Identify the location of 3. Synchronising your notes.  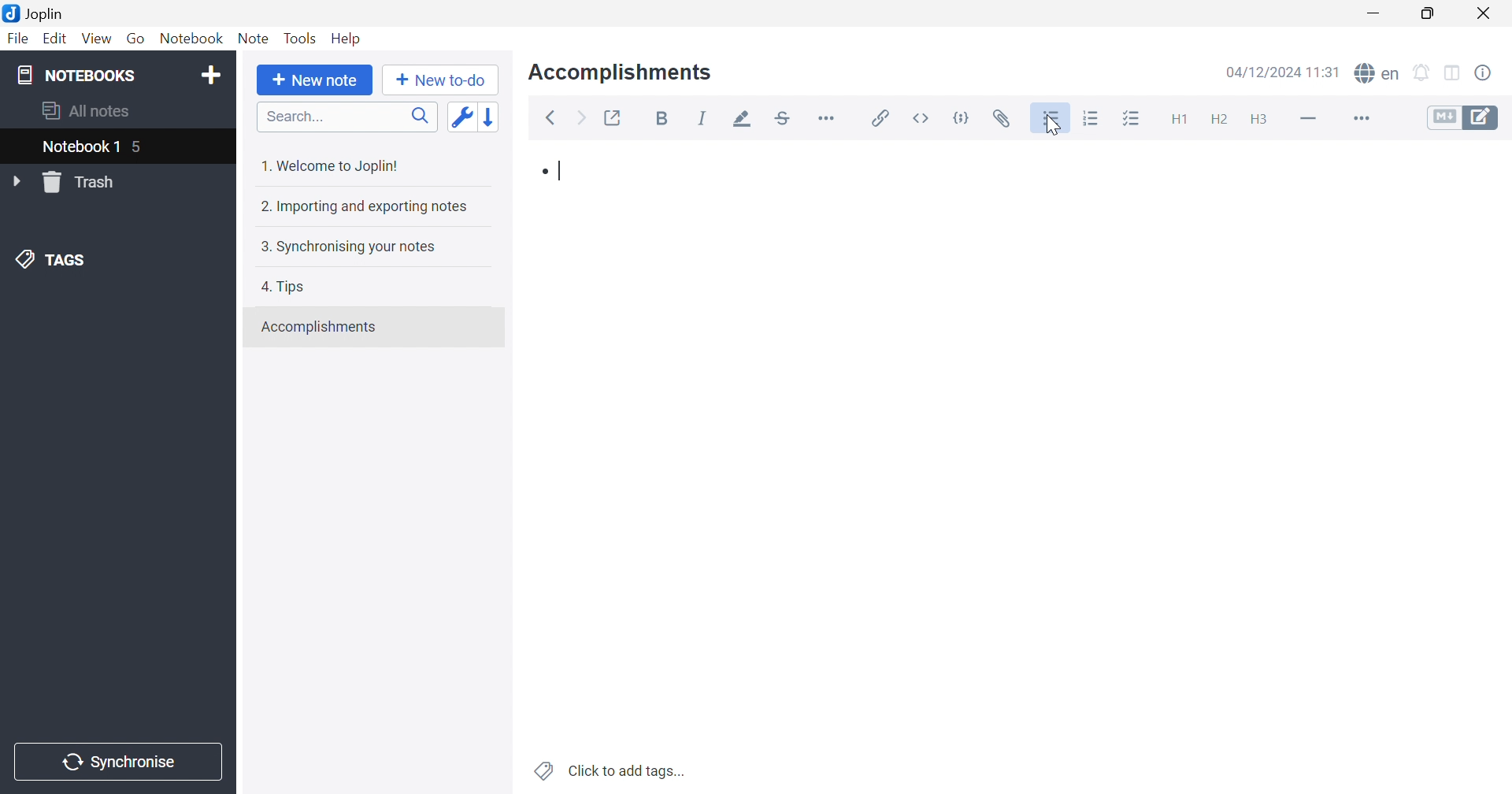
(347, 245).